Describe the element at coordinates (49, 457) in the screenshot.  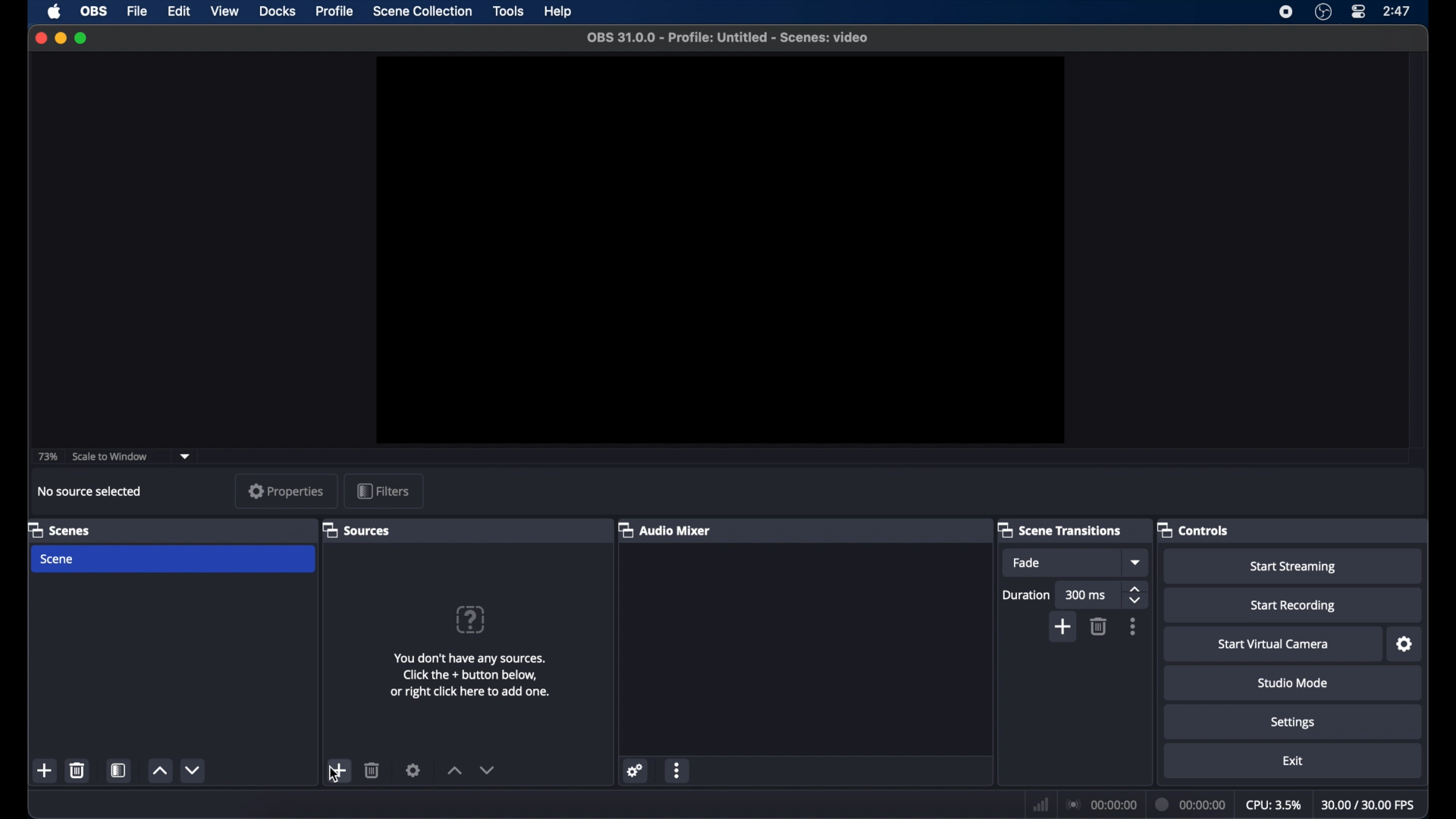
I see `73%` at that location.